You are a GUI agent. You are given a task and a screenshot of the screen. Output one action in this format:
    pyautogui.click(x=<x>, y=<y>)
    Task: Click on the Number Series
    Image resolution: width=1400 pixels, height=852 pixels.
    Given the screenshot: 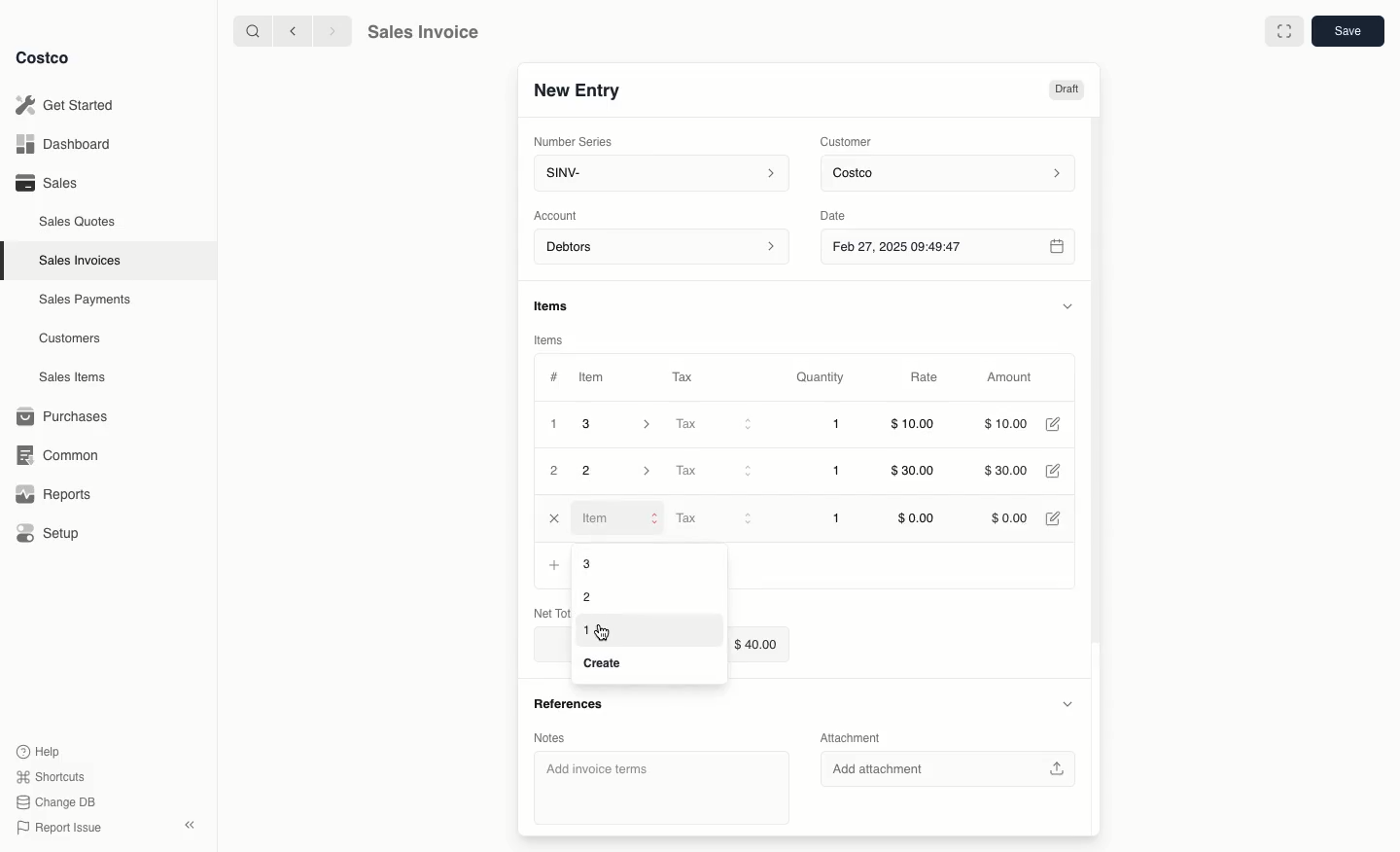 What is the action you would take?
    pyautogui.click(x=575, y=140)
    